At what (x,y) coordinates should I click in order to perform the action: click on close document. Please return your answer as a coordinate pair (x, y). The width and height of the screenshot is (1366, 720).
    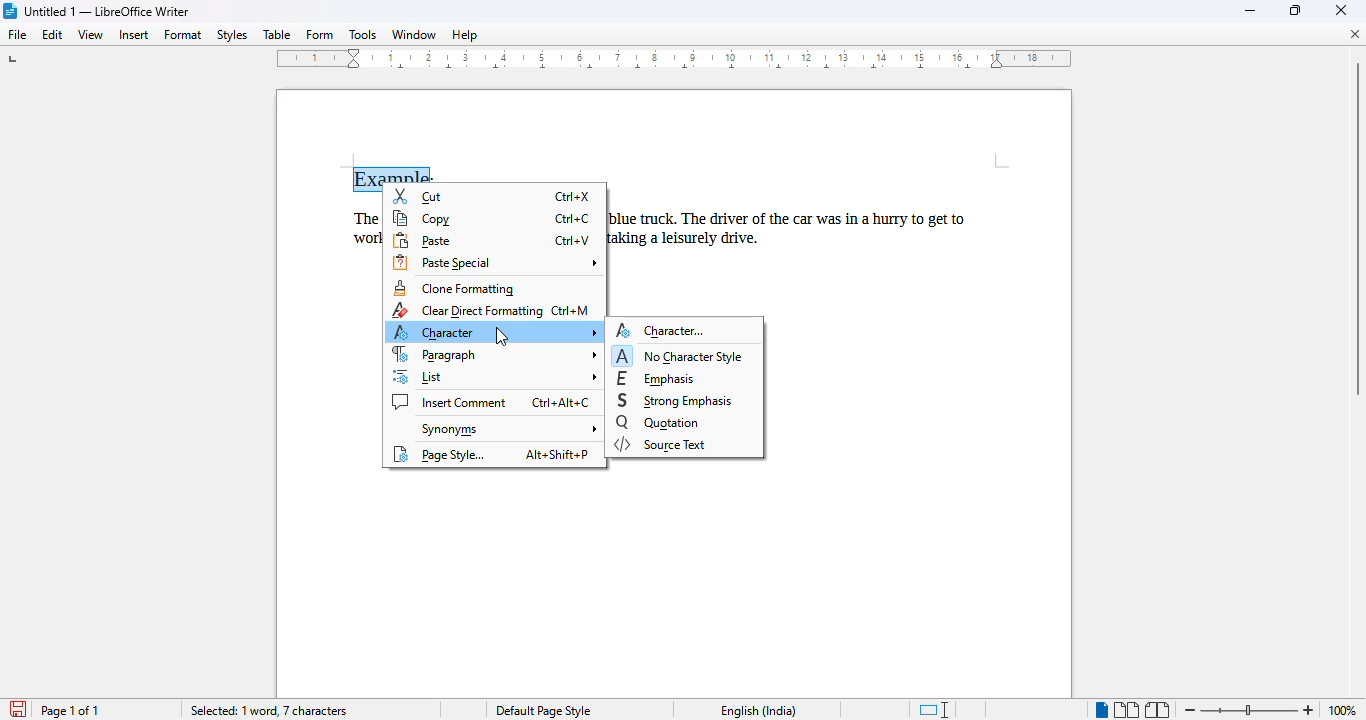
    Looking at the image, I should click on (1356, 34).